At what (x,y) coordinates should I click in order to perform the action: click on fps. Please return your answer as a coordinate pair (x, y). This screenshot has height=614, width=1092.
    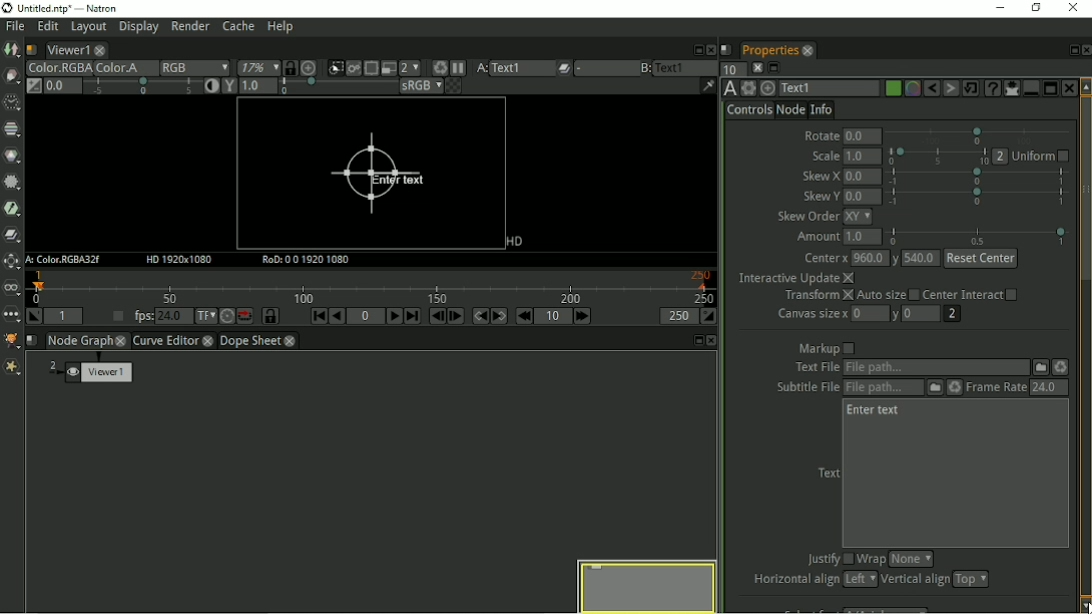
    Looking at the image, I should click on (158, 315).